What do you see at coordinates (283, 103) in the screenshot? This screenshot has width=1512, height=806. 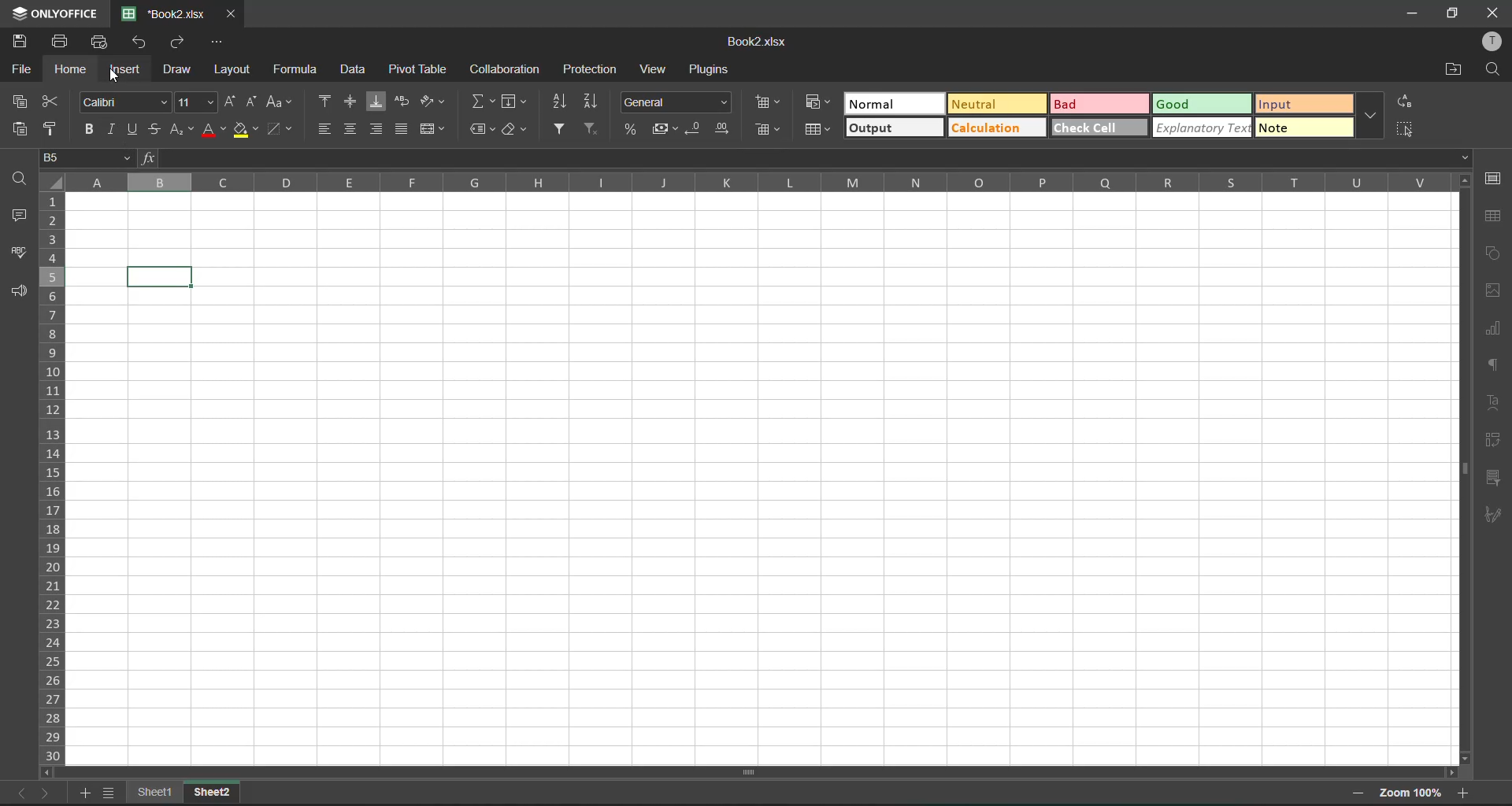 I see `change case` at bounding box center [283, 103].